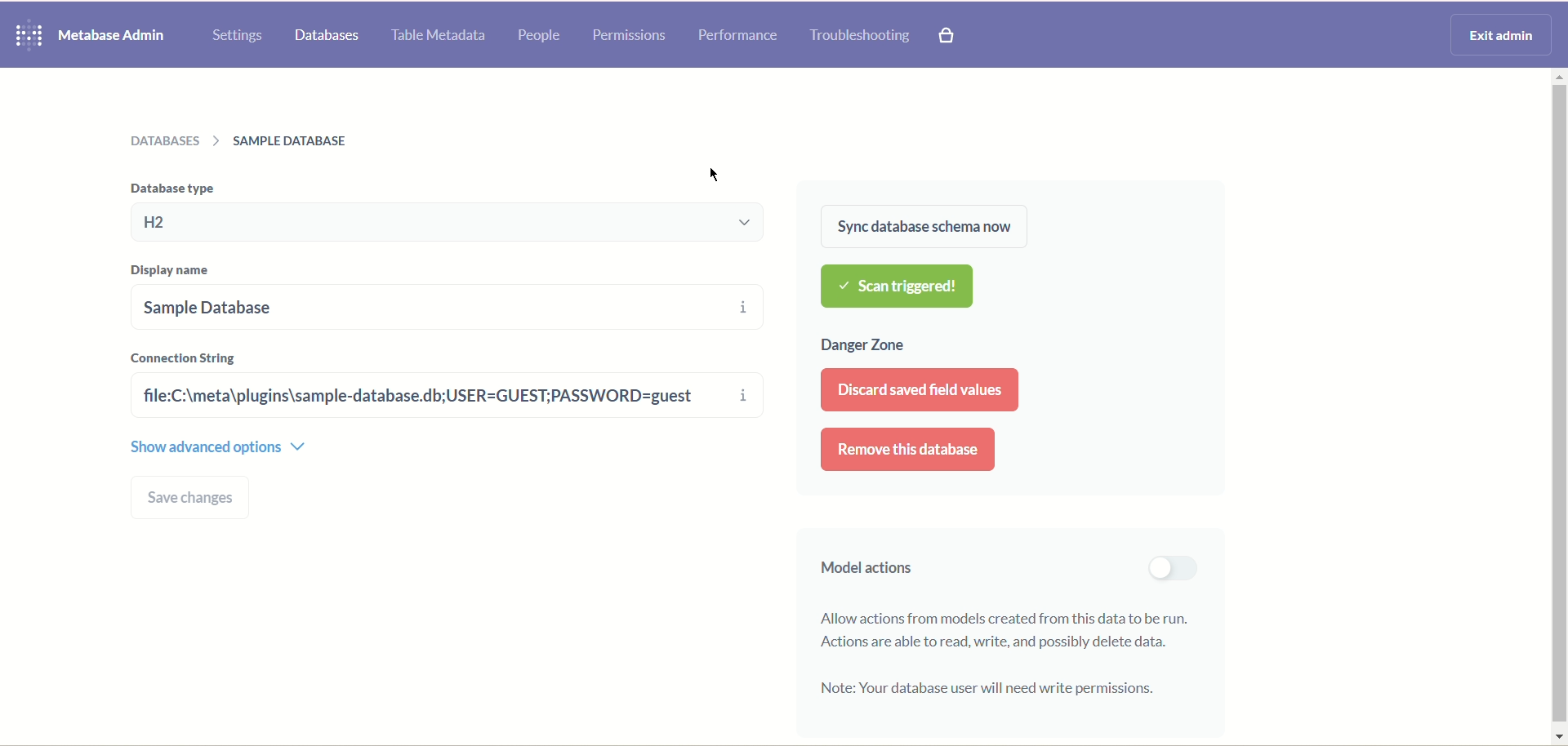  I want to click on discard saved field values, so click(924, 393).